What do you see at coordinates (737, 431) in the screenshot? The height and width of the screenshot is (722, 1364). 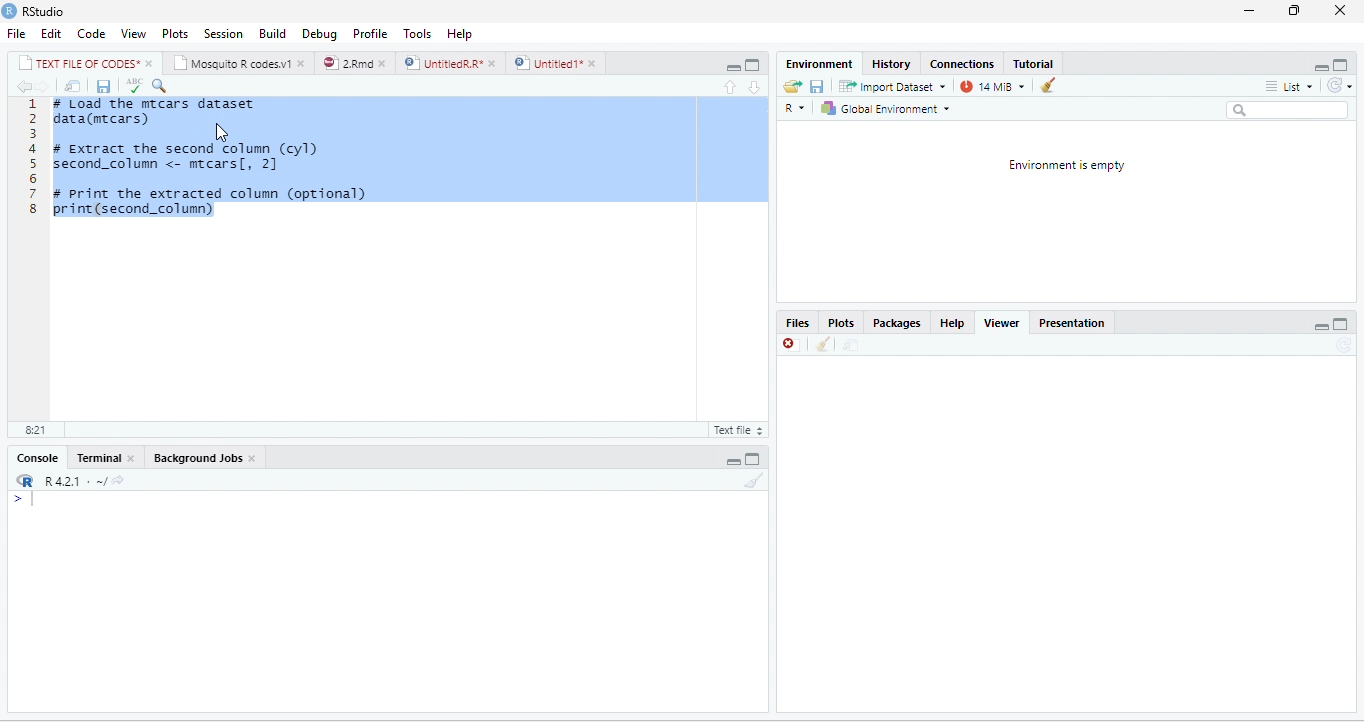 I see `text file` at bounding box center [737, 431].